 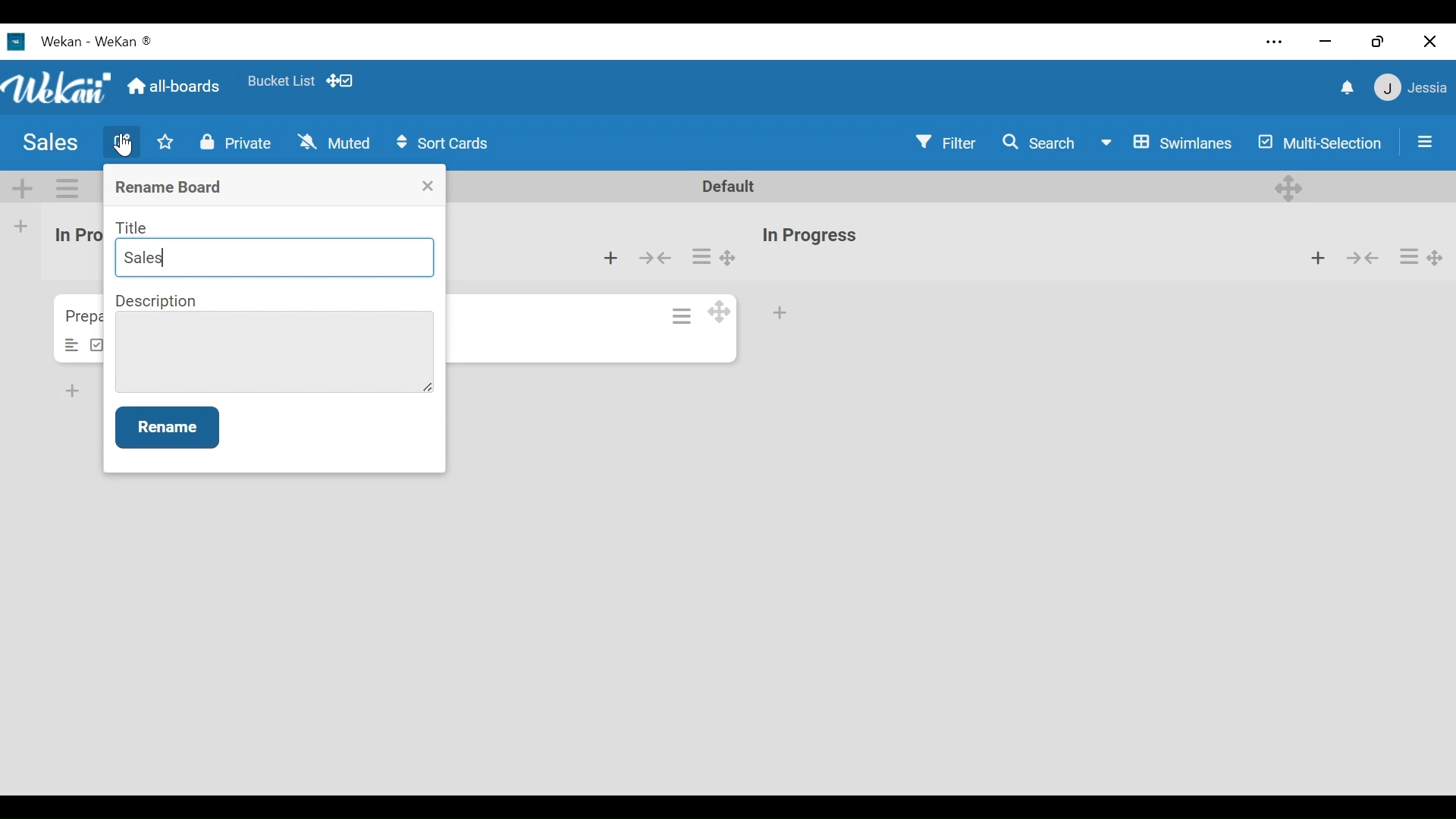 I want to click on Board Title, so click(x=49, y=144).